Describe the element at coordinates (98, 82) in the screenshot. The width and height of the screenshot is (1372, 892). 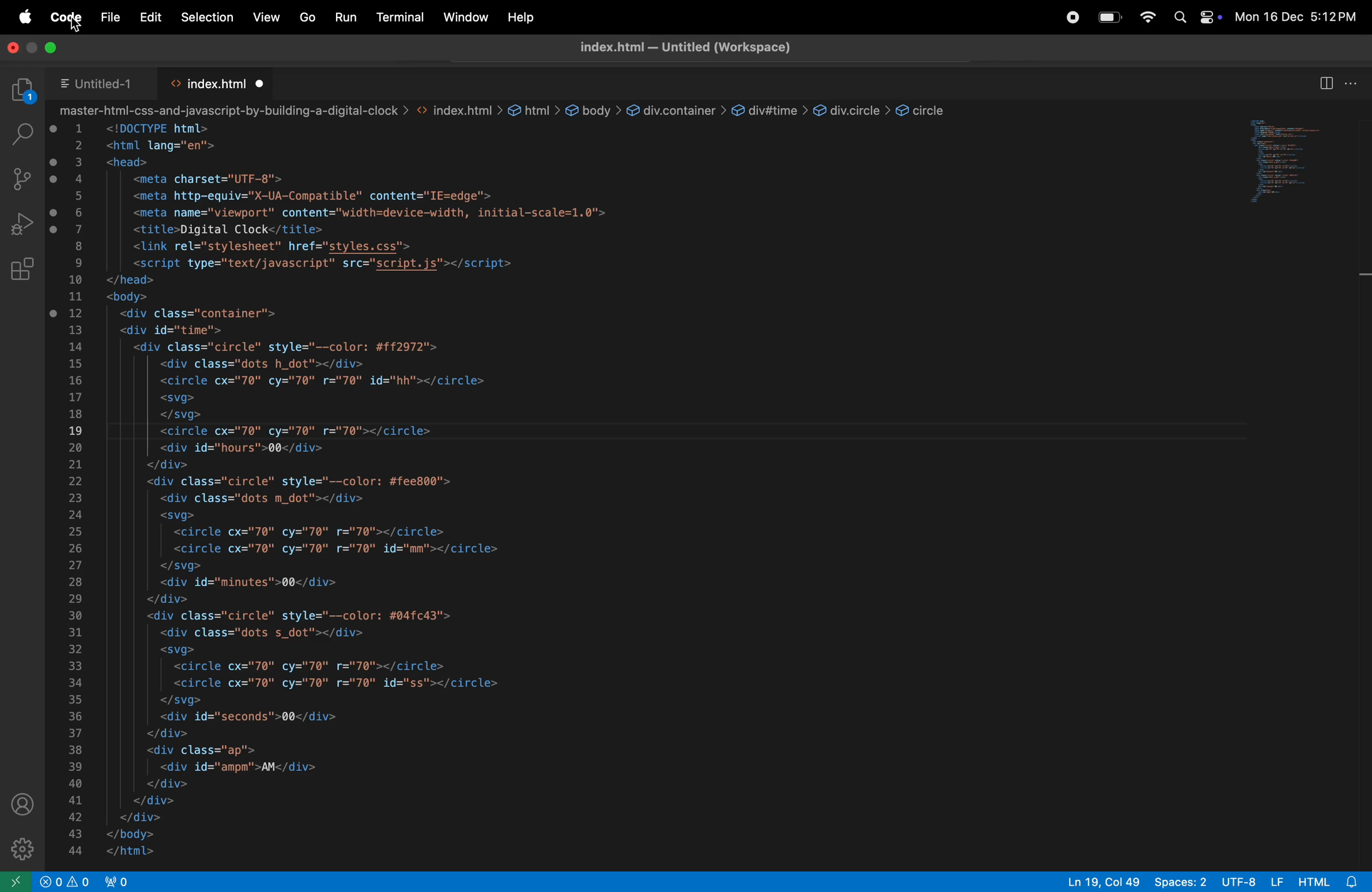
I see `untitled 1` at that location.